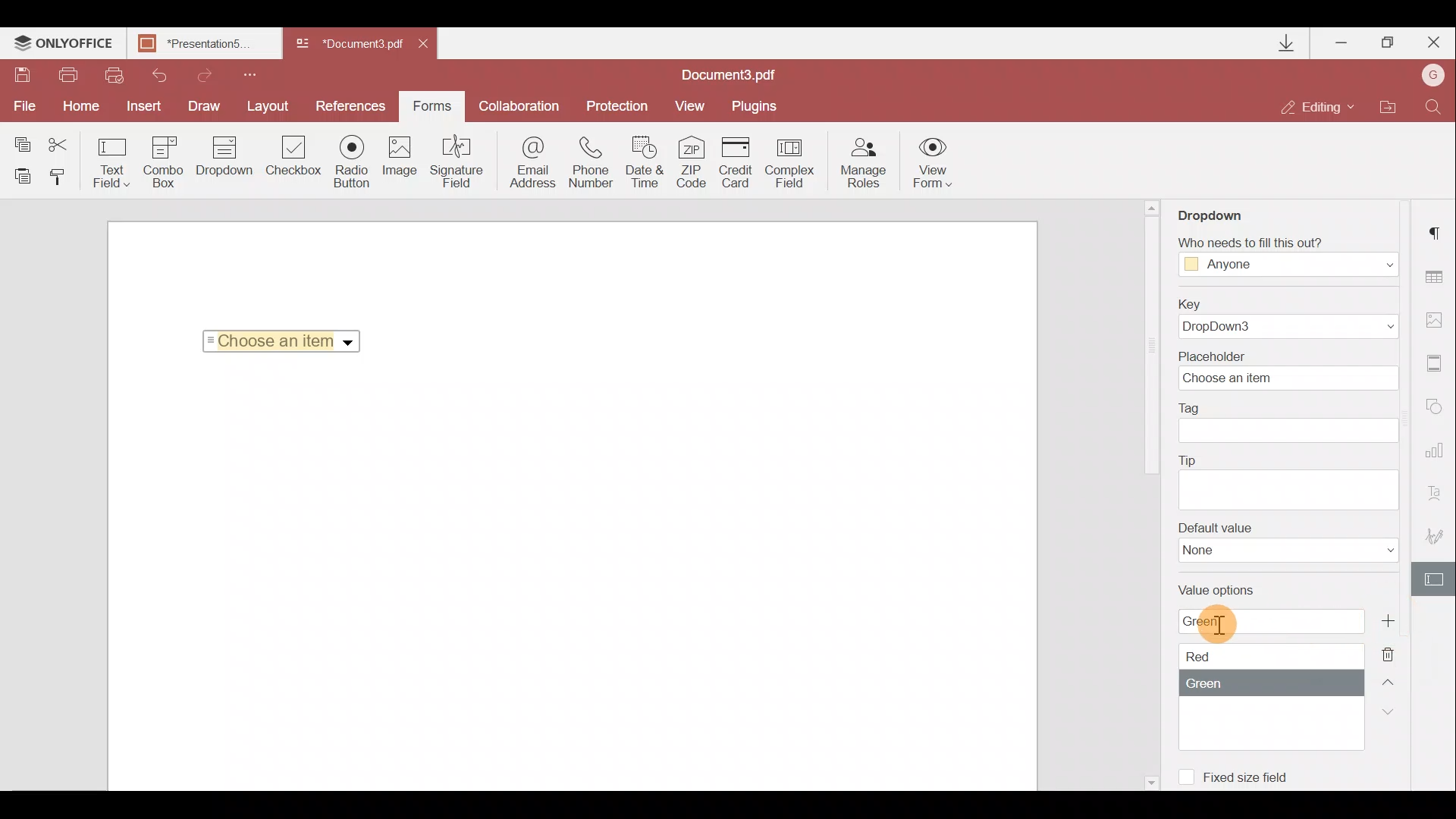 The height and width of the screenshot is (819, 1456). Describe the element at coordinates (158, 76) in the screenshot. I see `Undo` at that location.